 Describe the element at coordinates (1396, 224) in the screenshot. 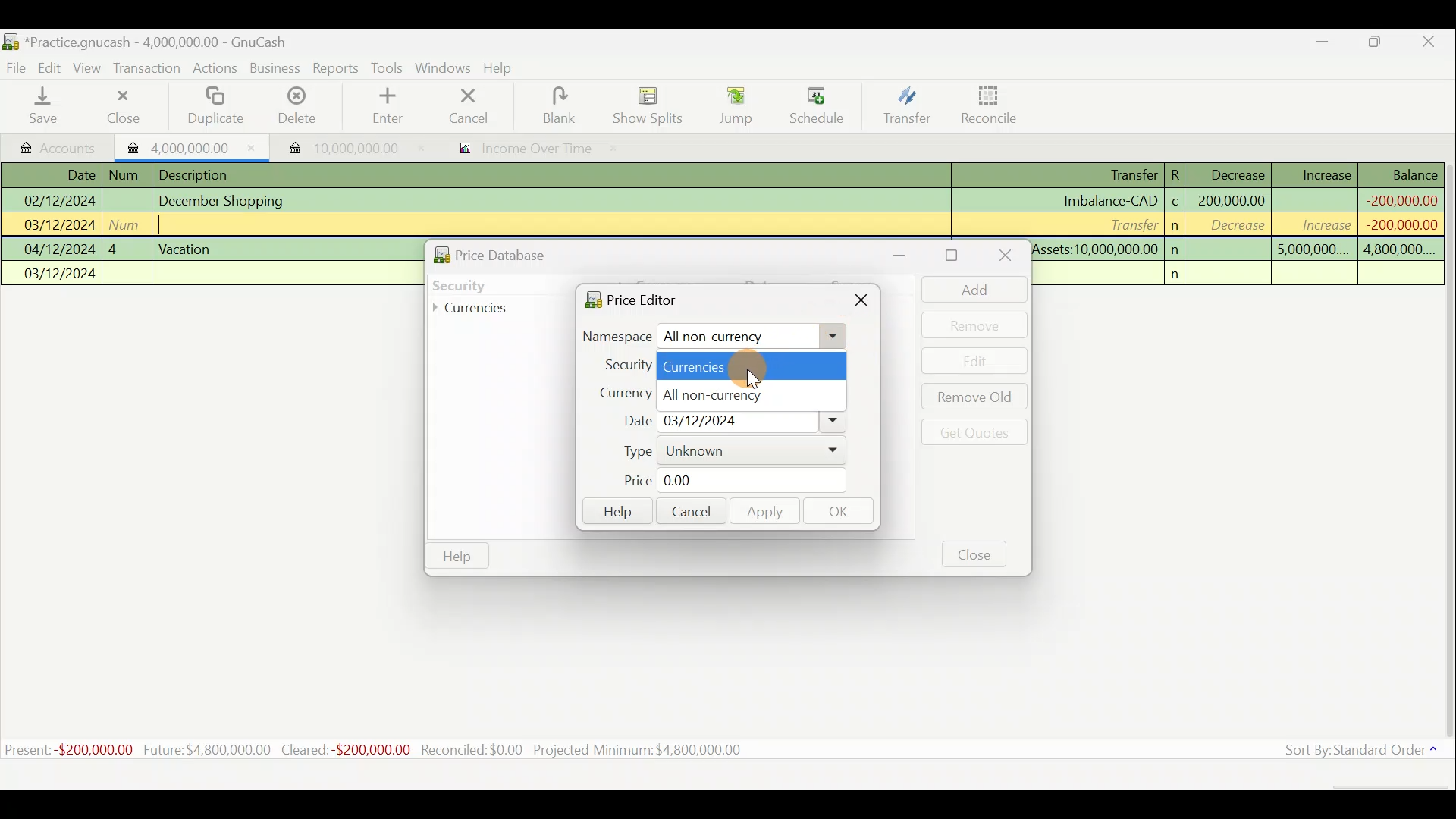

I see `-200,000,000` at that location.